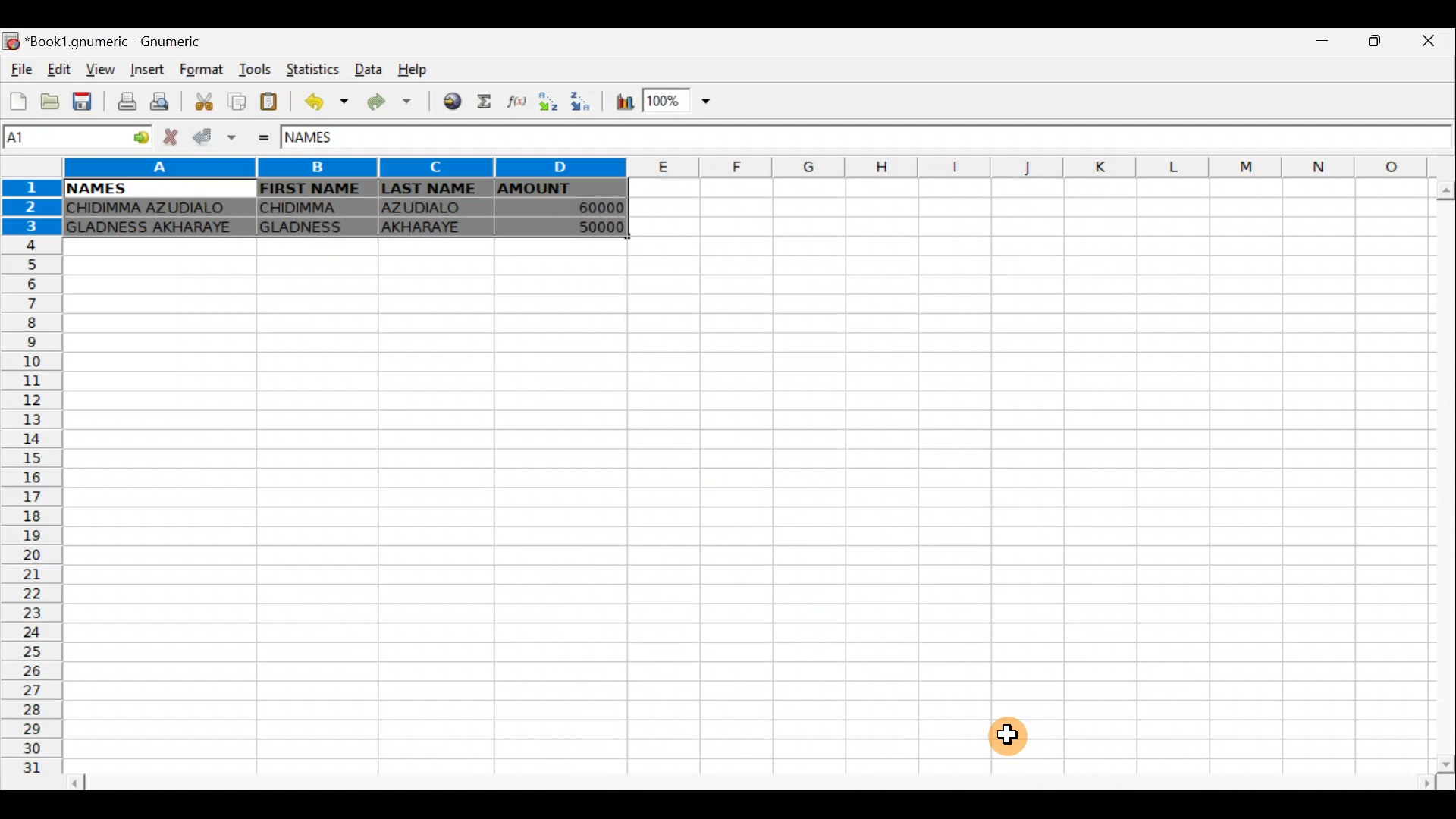  What do you see at coordinates (558, 190) in the screenshot?
I see `AMOUNT` at bounding box center [558, 190].